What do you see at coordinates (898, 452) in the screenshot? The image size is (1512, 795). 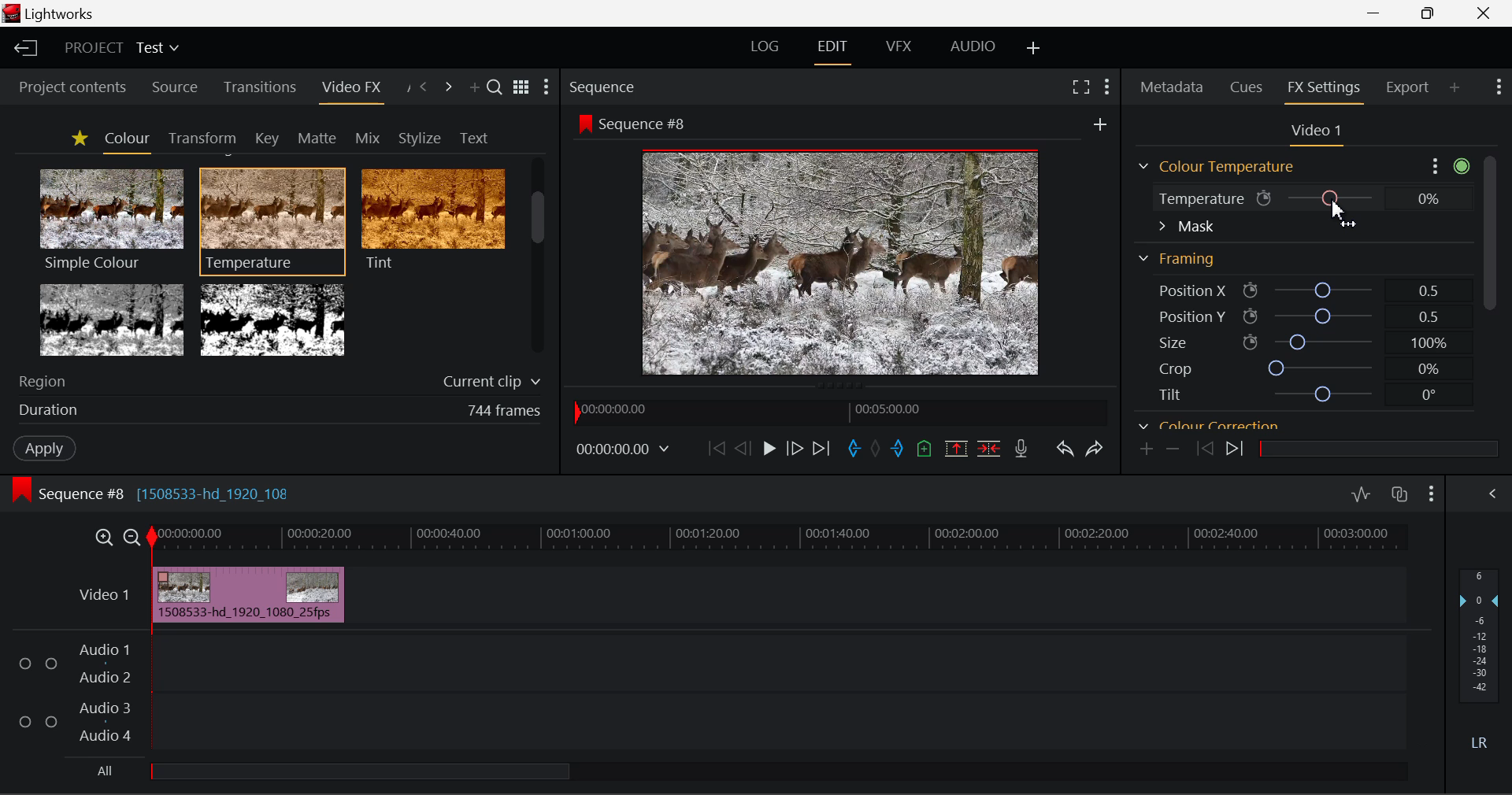 I see `Mark Out` at bounding box center [898, 452].